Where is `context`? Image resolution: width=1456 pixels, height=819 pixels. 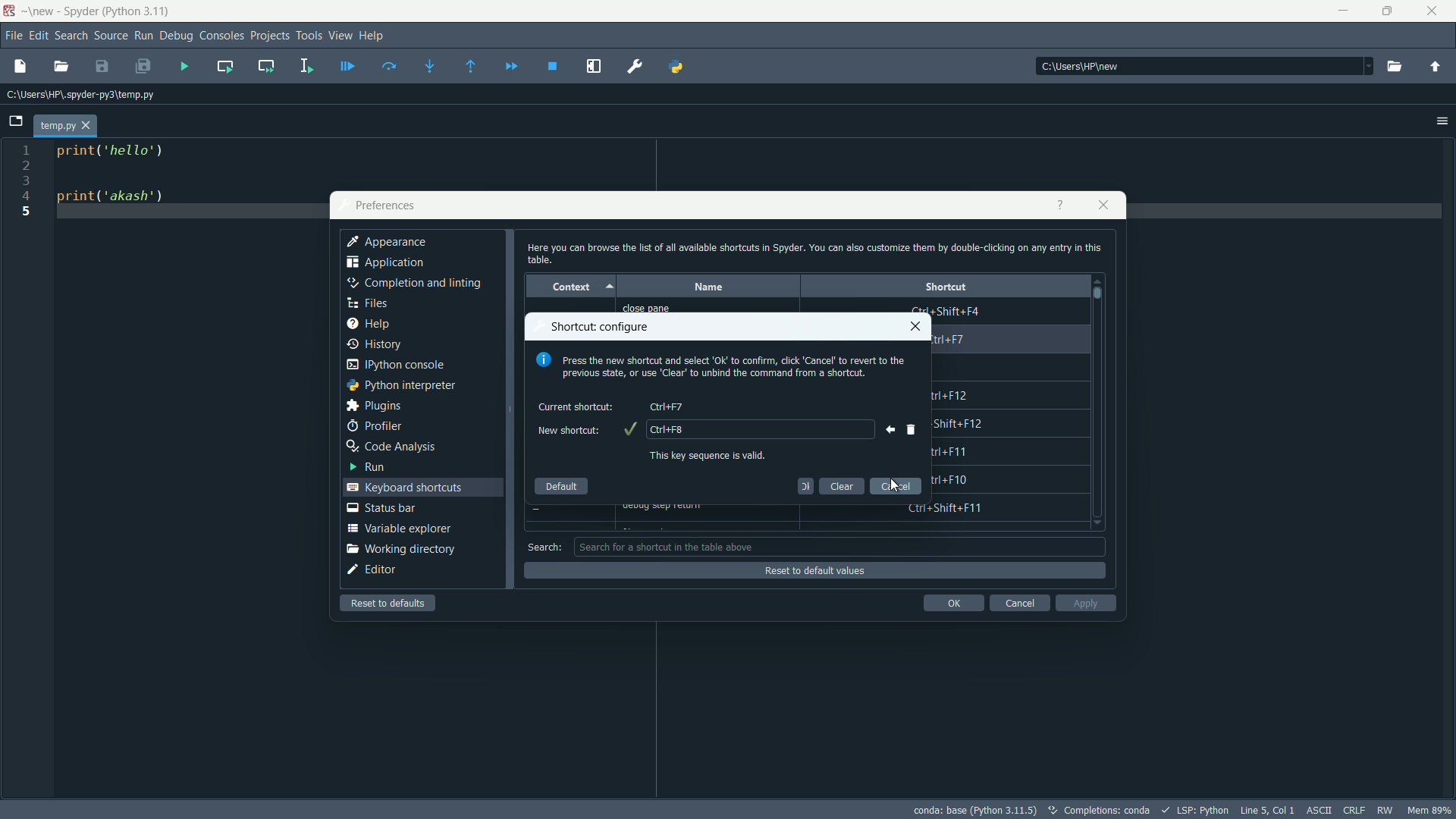 context is located at coordinates (568, 286).